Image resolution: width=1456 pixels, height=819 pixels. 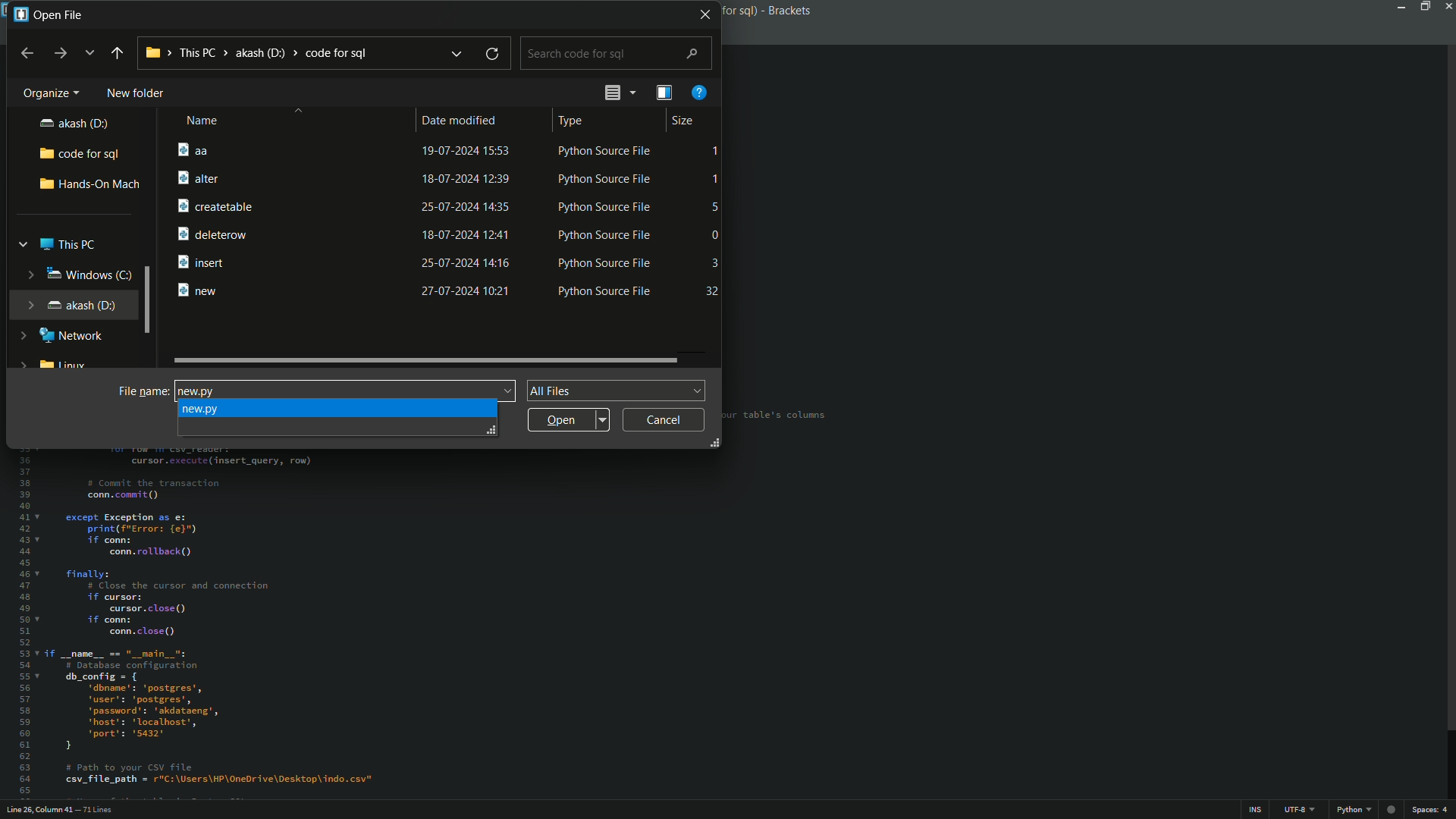 What do you see at coordinates (1301, 811) in the screenshot?
I see `file encoding` at bounding box center [1301, 811].